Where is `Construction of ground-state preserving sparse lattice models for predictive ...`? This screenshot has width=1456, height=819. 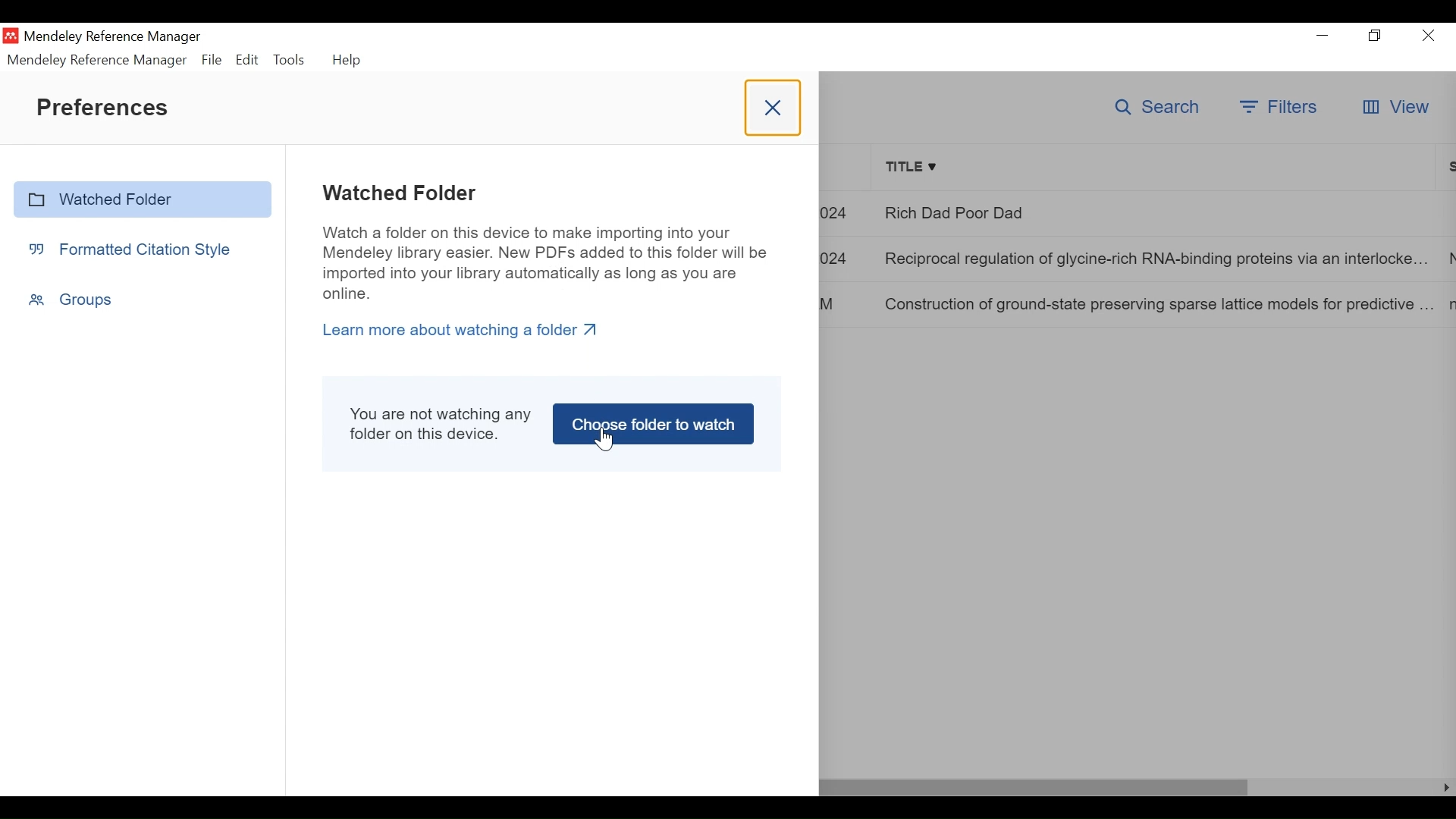 Construction of ground-state preserving sparse lattice models for predictive ... is located at coordinates (1150, 306).